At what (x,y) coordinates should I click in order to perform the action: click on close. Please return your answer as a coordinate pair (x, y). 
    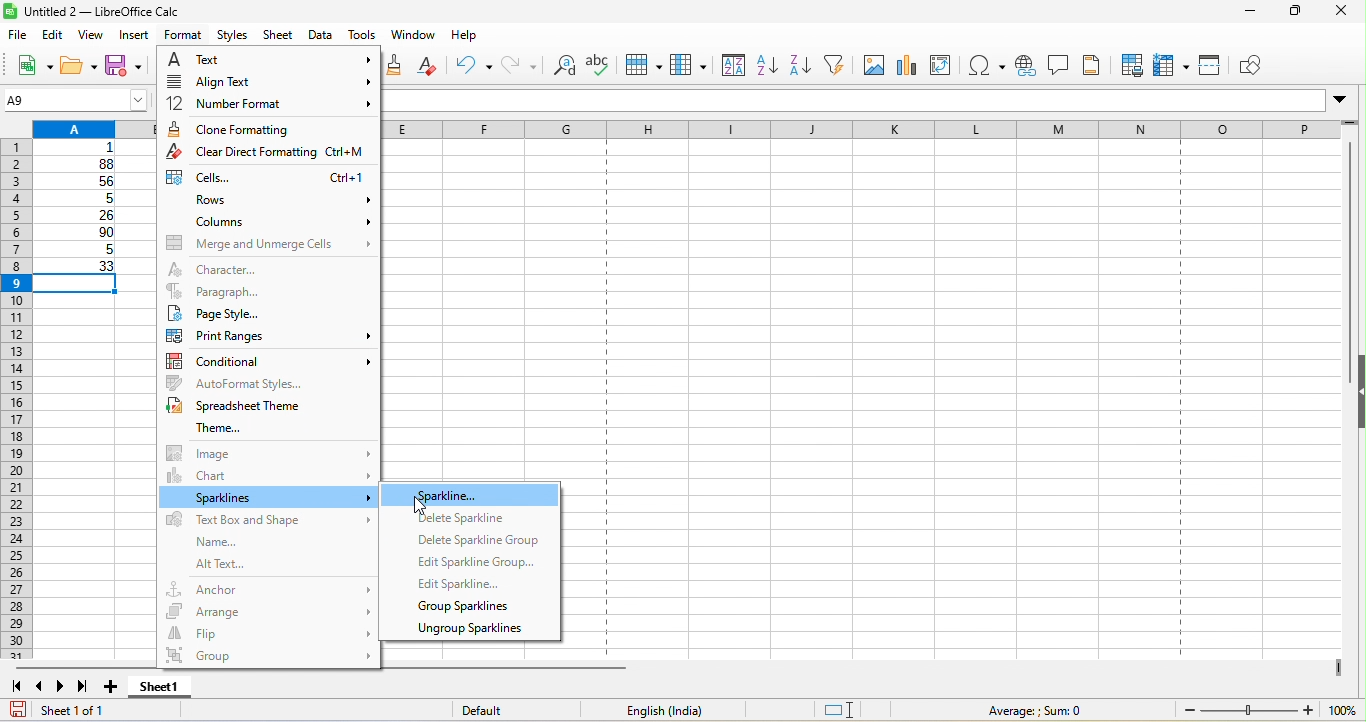
    Looking at the image, I should click on (1342, 13).